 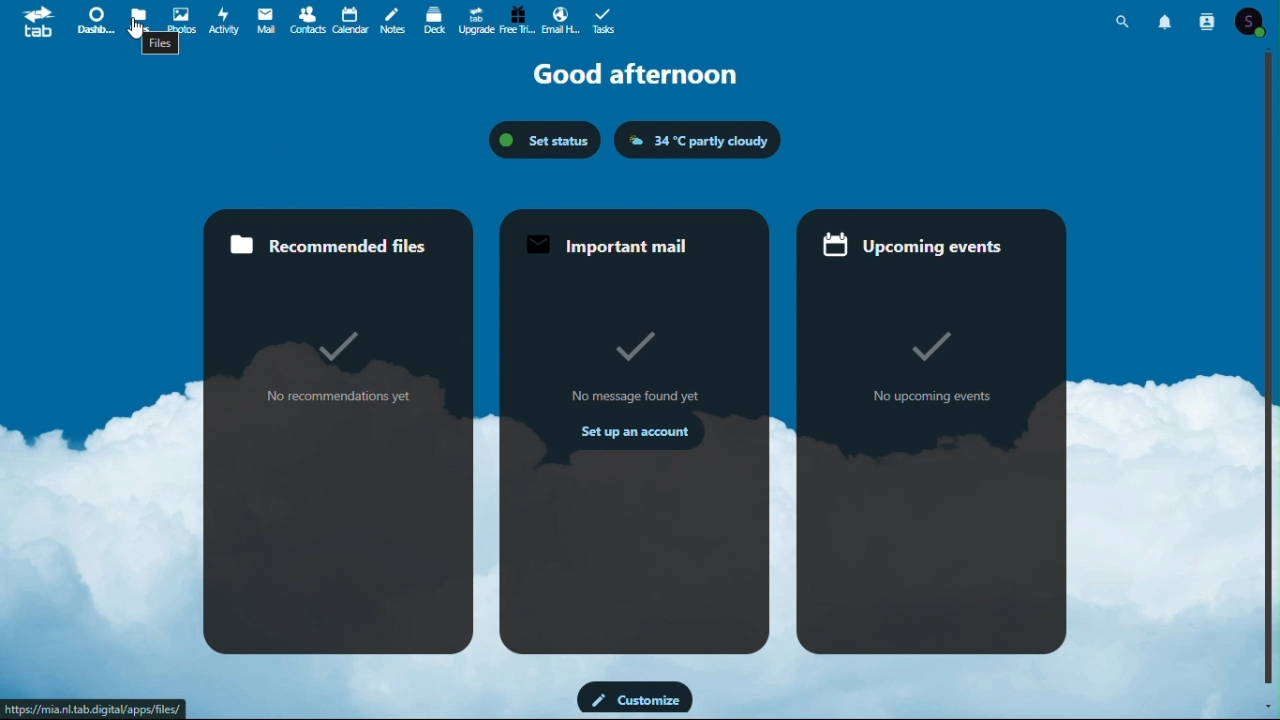 I want to click on Notifications, so click(x=1167, y=21).